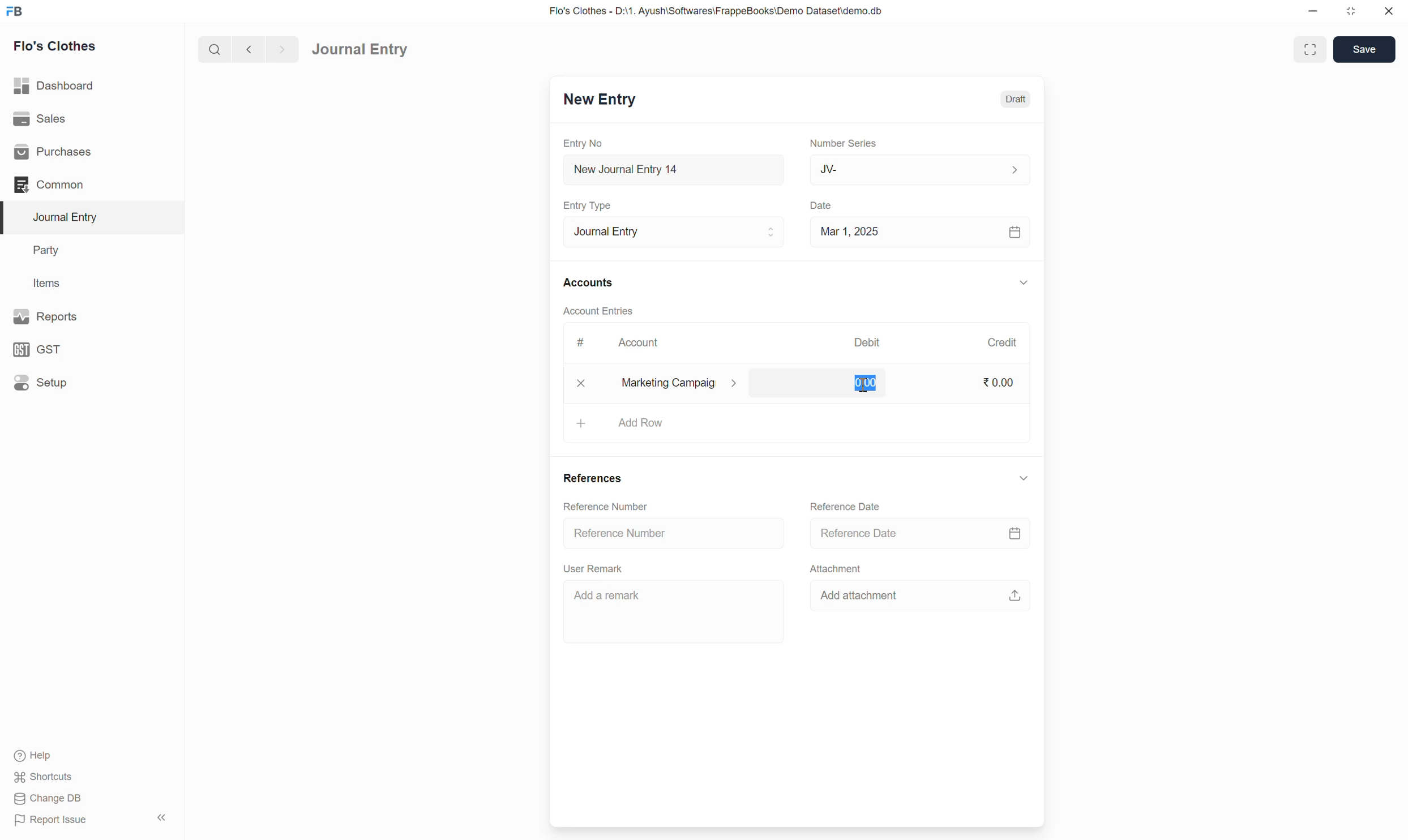  What do you see at coordinates (41, 382) in the screenshot?
I see `Setup` at bounding box center [41, 382].